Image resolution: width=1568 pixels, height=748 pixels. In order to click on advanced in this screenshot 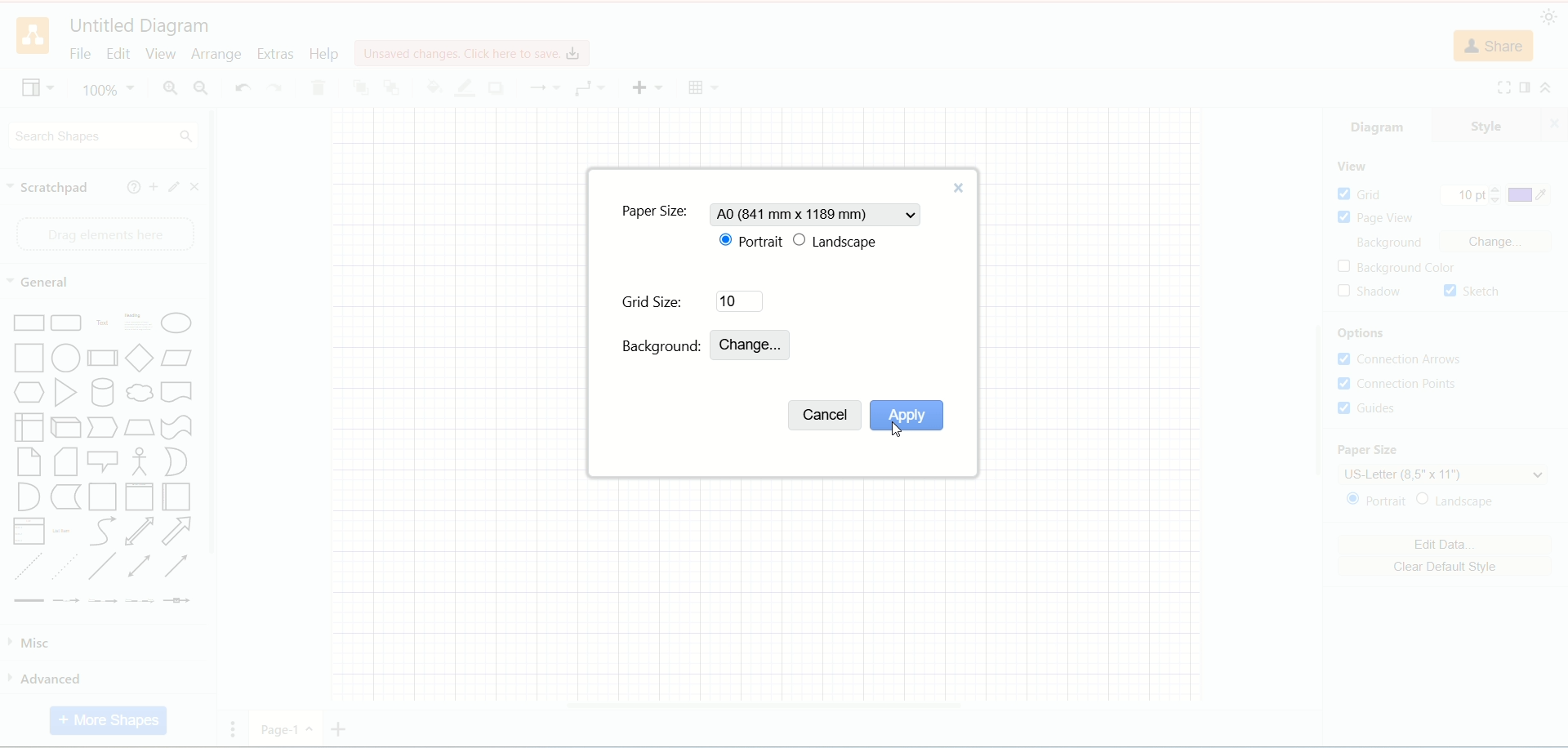, I will do `click(99, 679)`.